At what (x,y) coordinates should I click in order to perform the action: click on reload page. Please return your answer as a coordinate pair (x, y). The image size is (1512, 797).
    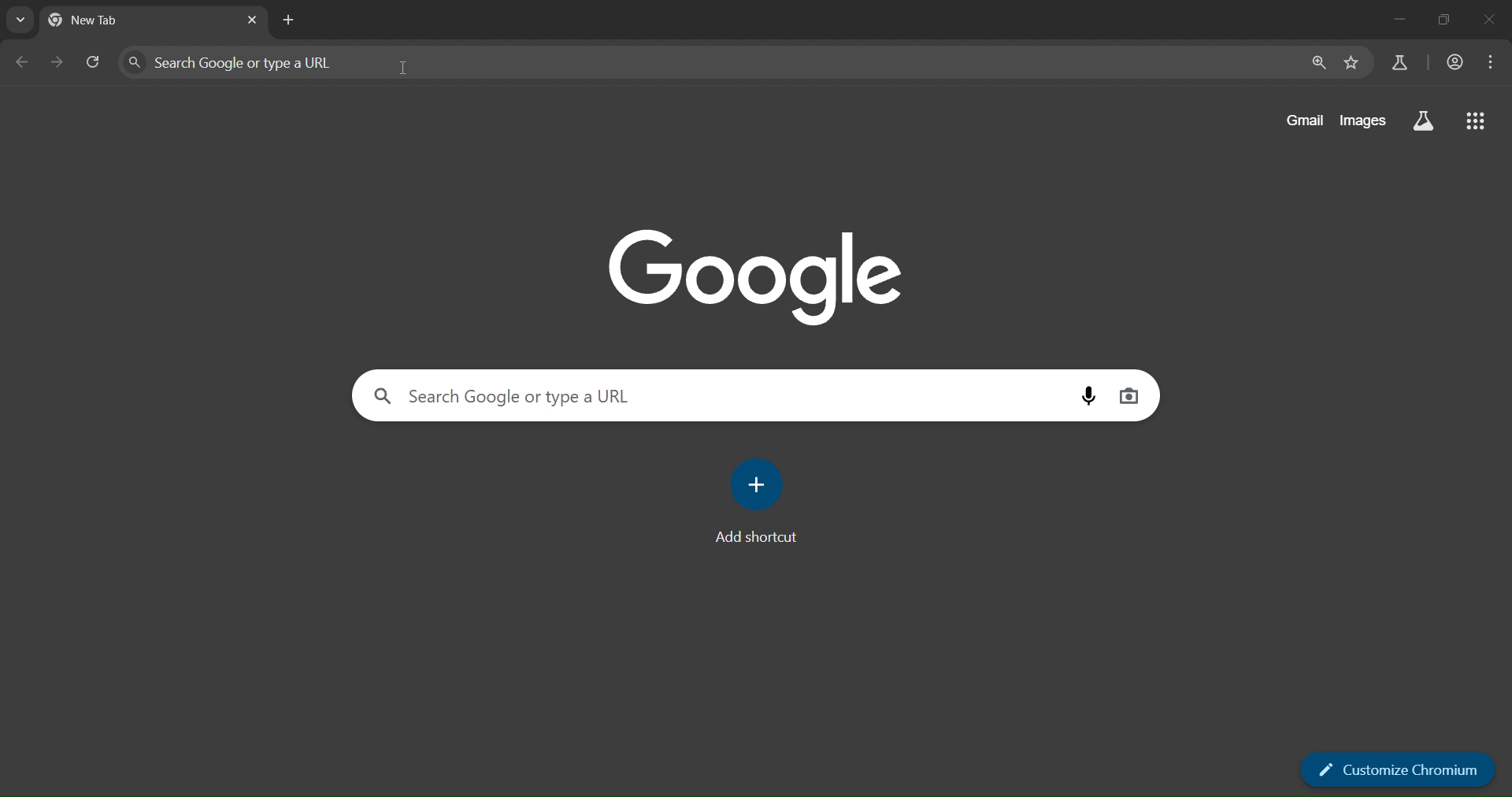
    Looking at the image, I should click on (91, 62).